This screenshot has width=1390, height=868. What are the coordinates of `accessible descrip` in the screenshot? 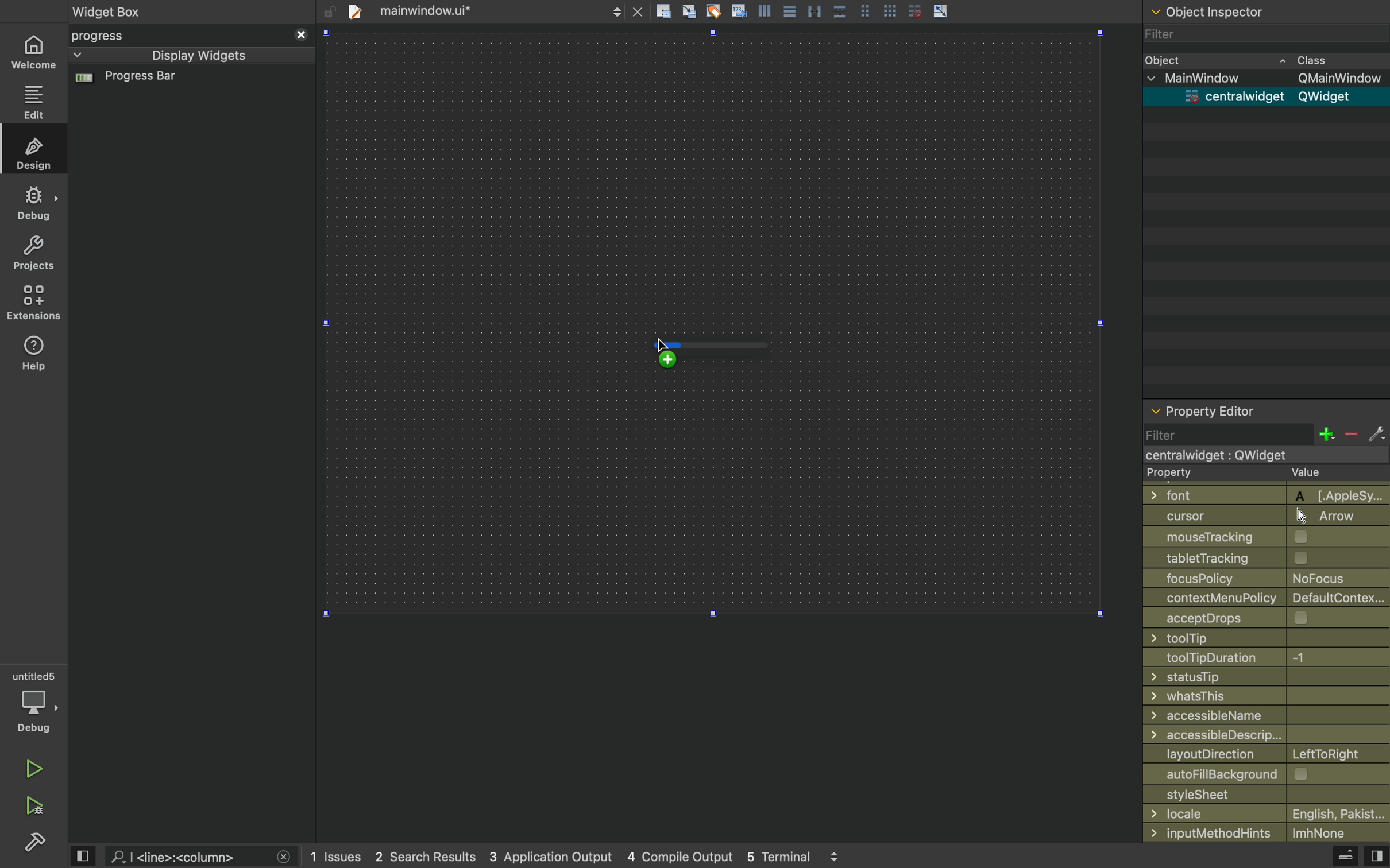 It's located at (1251, 735).